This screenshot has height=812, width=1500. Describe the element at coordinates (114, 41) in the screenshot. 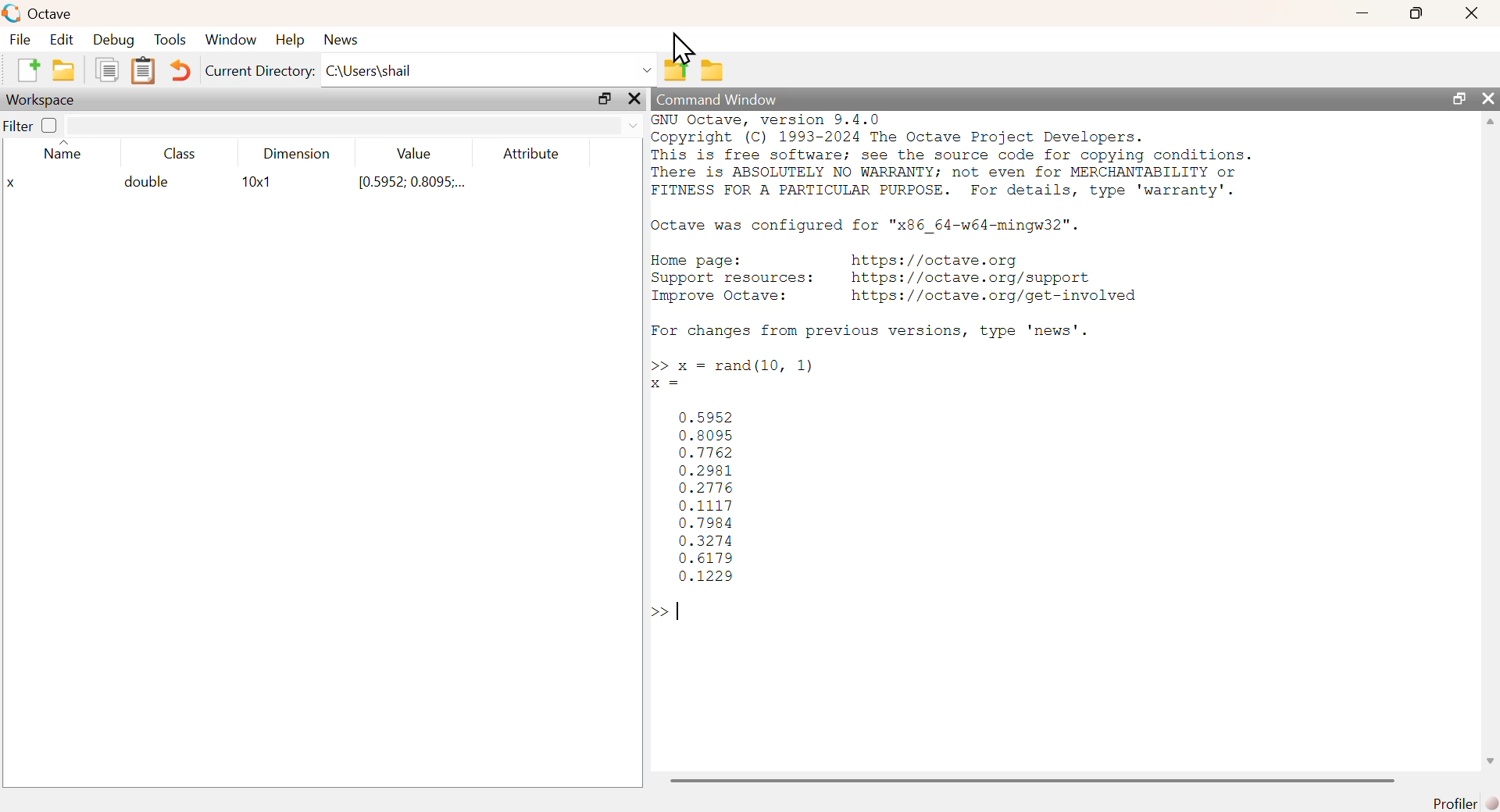

I see `debug` at that location.